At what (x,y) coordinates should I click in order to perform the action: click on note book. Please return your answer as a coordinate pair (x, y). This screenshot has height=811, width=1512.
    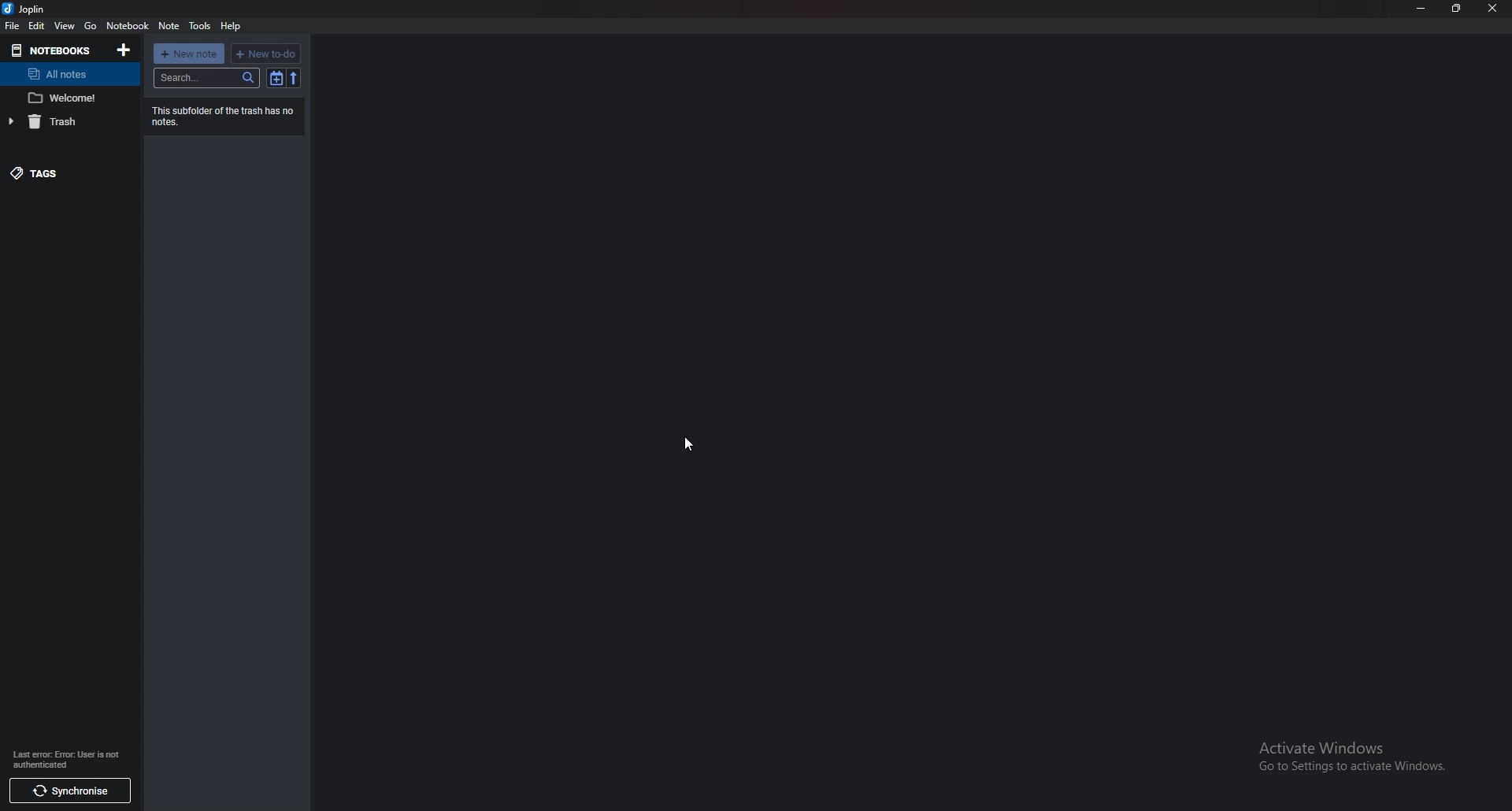
    Looking at the image, I should click on (128, 26).